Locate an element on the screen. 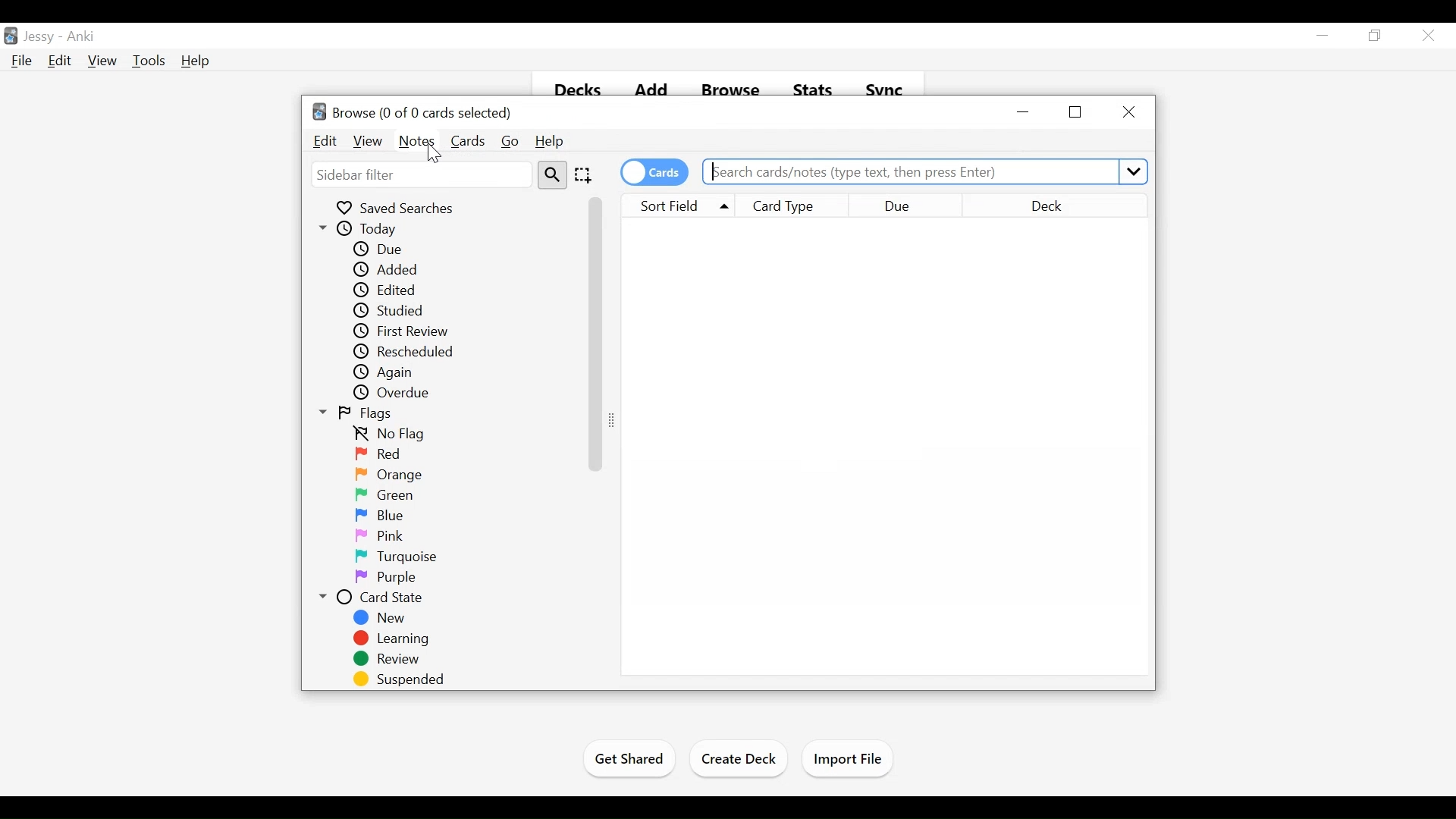 The height and width of the screenshot is (819, 1456). minimize is located at coordinates (1323, 35).